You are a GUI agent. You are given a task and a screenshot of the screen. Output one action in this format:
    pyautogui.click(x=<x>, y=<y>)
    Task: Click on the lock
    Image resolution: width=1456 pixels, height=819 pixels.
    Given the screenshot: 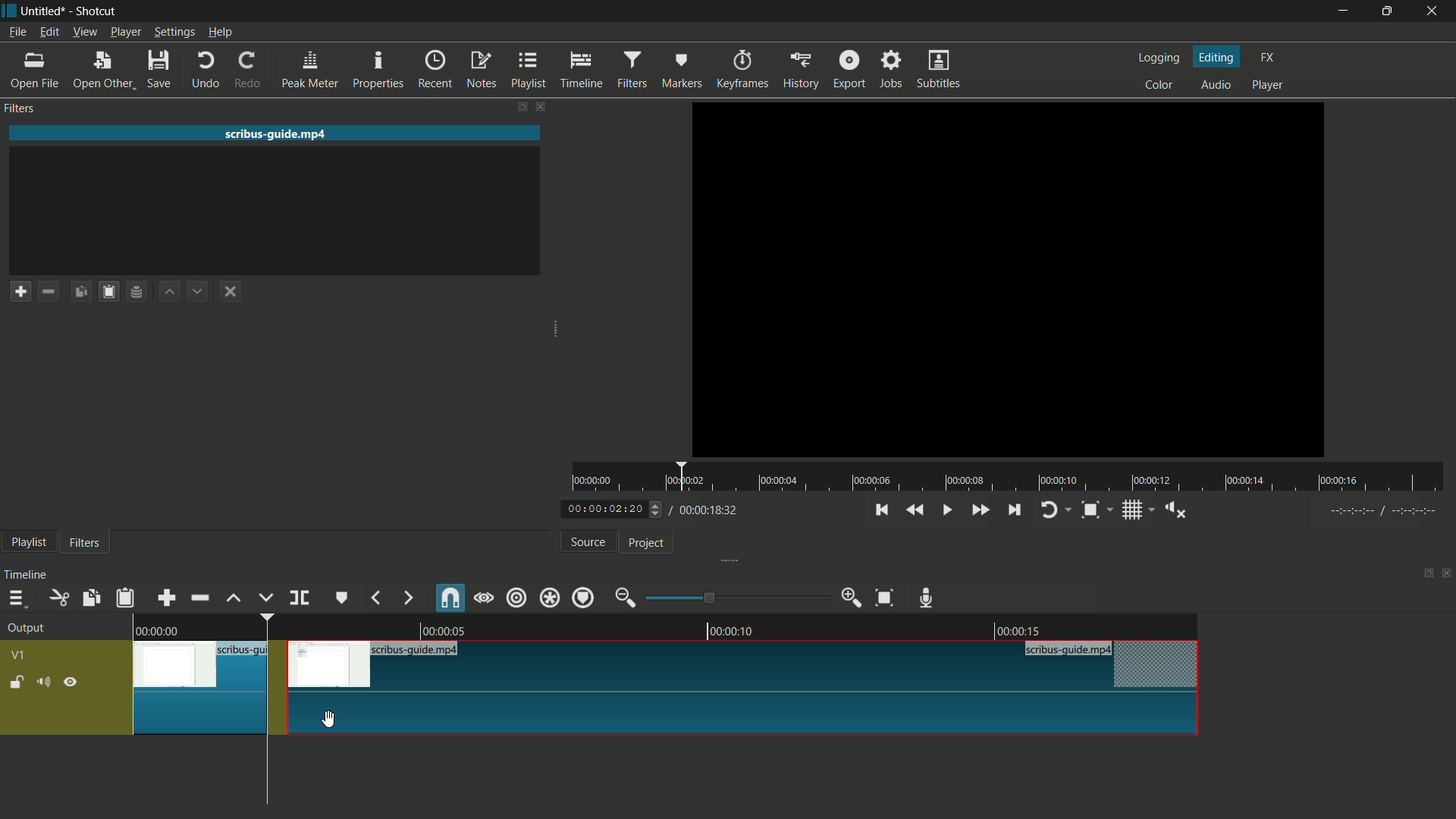 What is the action you would take?
    pyautogui.click(x=16, y=683)
    